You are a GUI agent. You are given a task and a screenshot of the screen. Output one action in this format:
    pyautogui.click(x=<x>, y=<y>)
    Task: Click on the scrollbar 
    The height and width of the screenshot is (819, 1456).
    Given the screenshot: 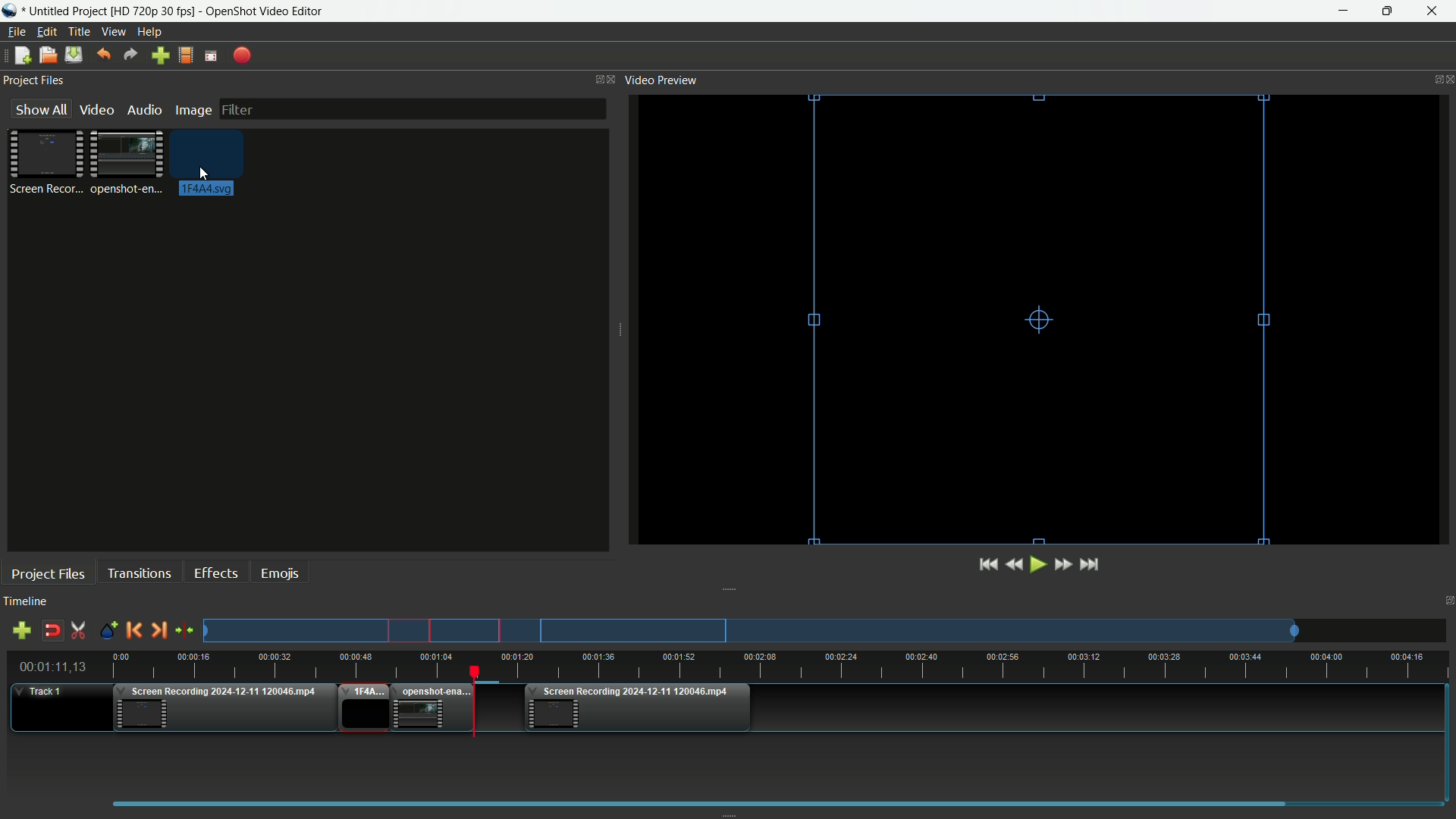 What is the action you would take?
    pyautogui.click(x=771, y=802)
    